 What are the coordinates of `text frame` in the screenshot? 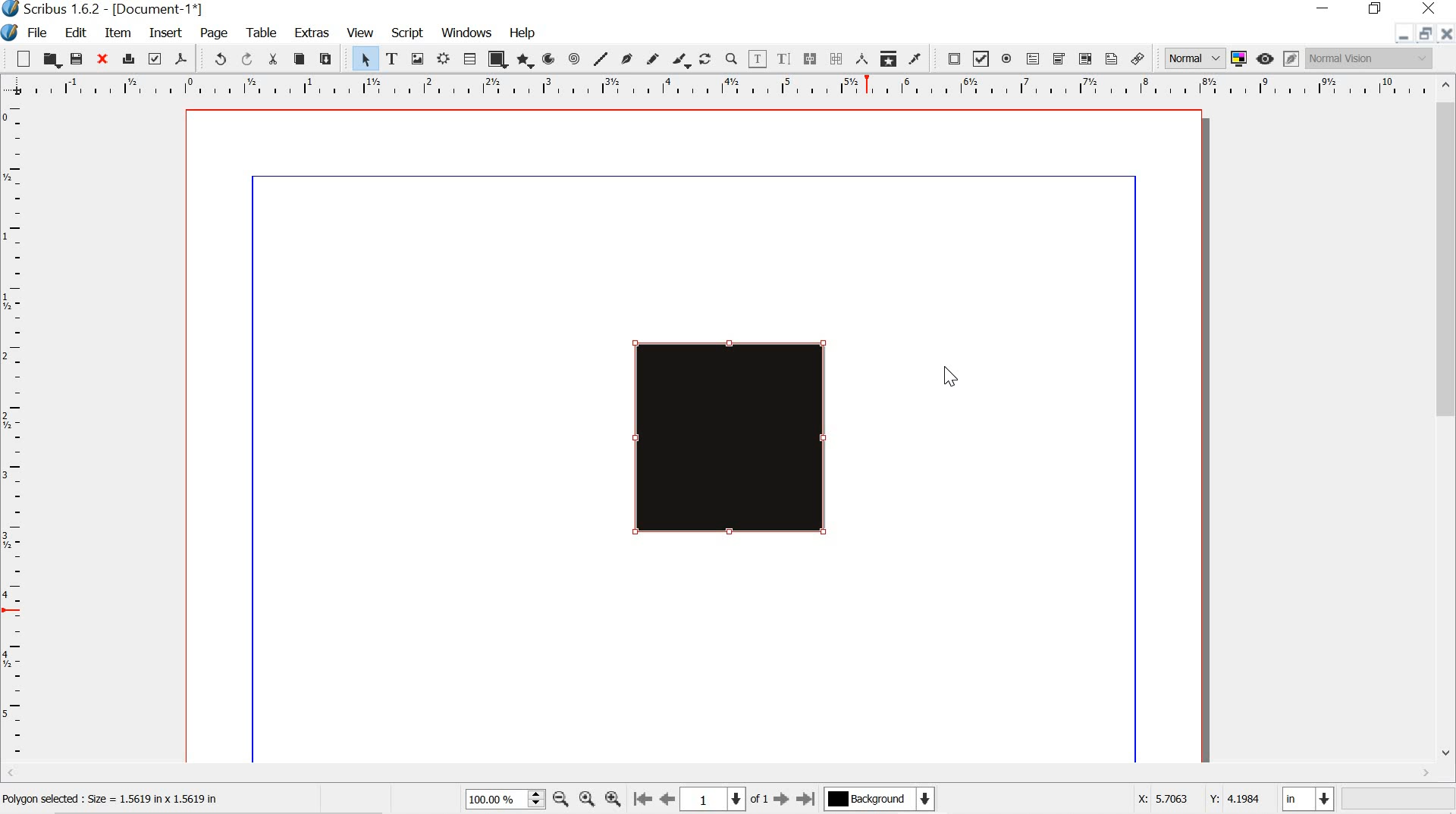 It's located at (392, 57).